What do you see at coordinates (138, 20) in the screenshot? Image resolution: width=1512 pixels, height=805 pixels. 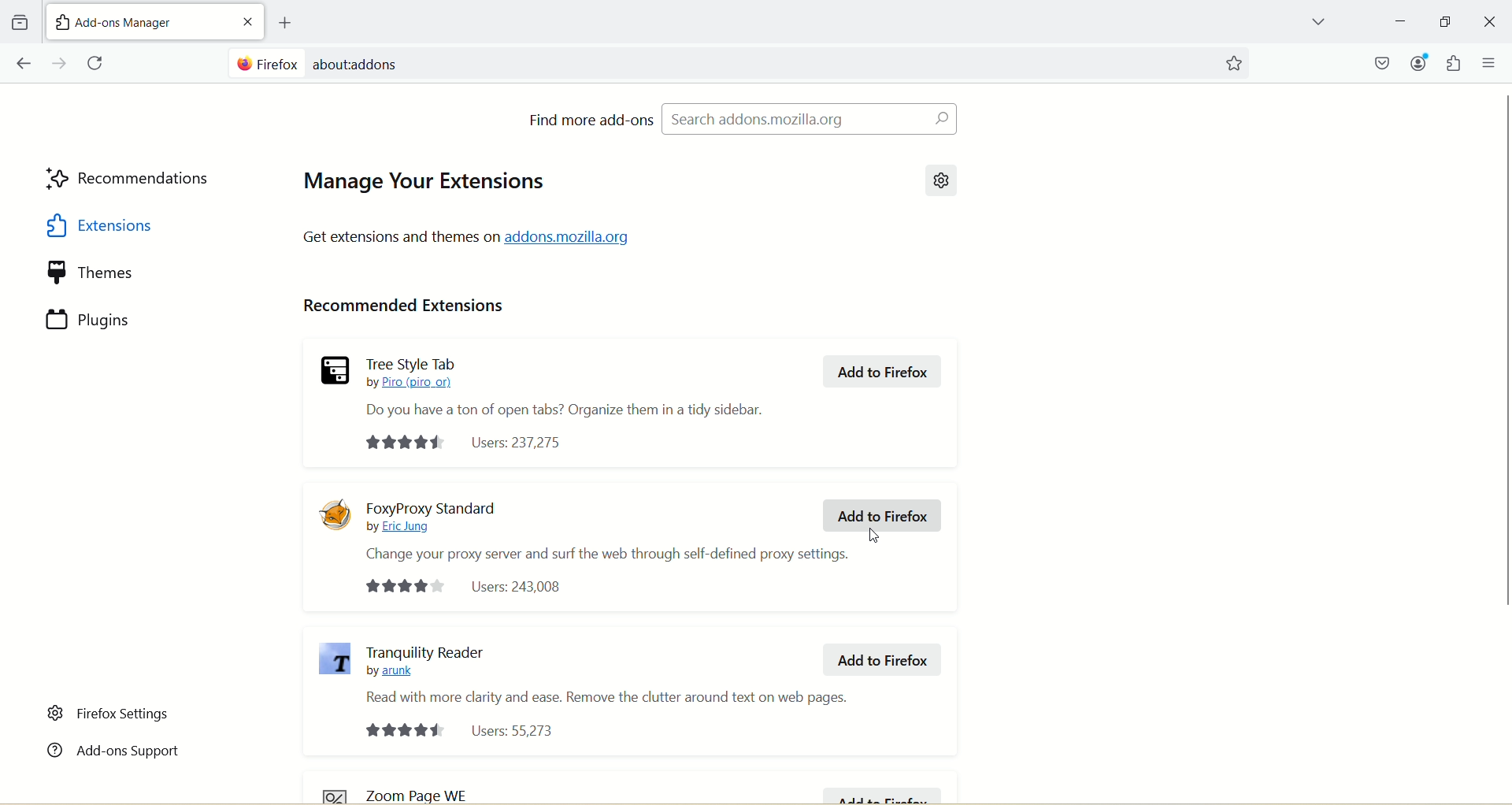 I see `New Tab` at bounding box center [138, 20].